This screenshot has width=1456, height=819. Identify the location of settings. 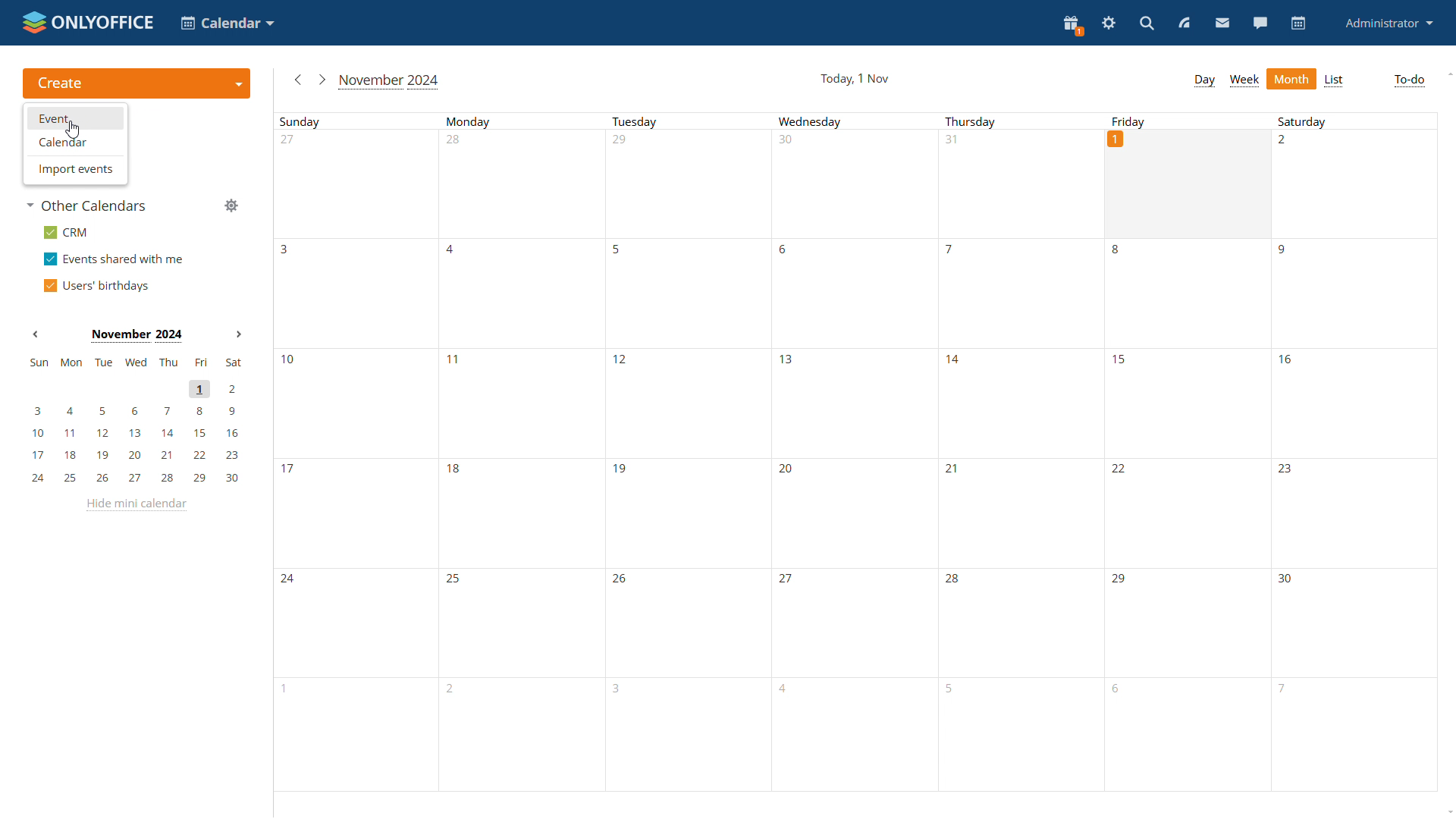
(1109, 24).